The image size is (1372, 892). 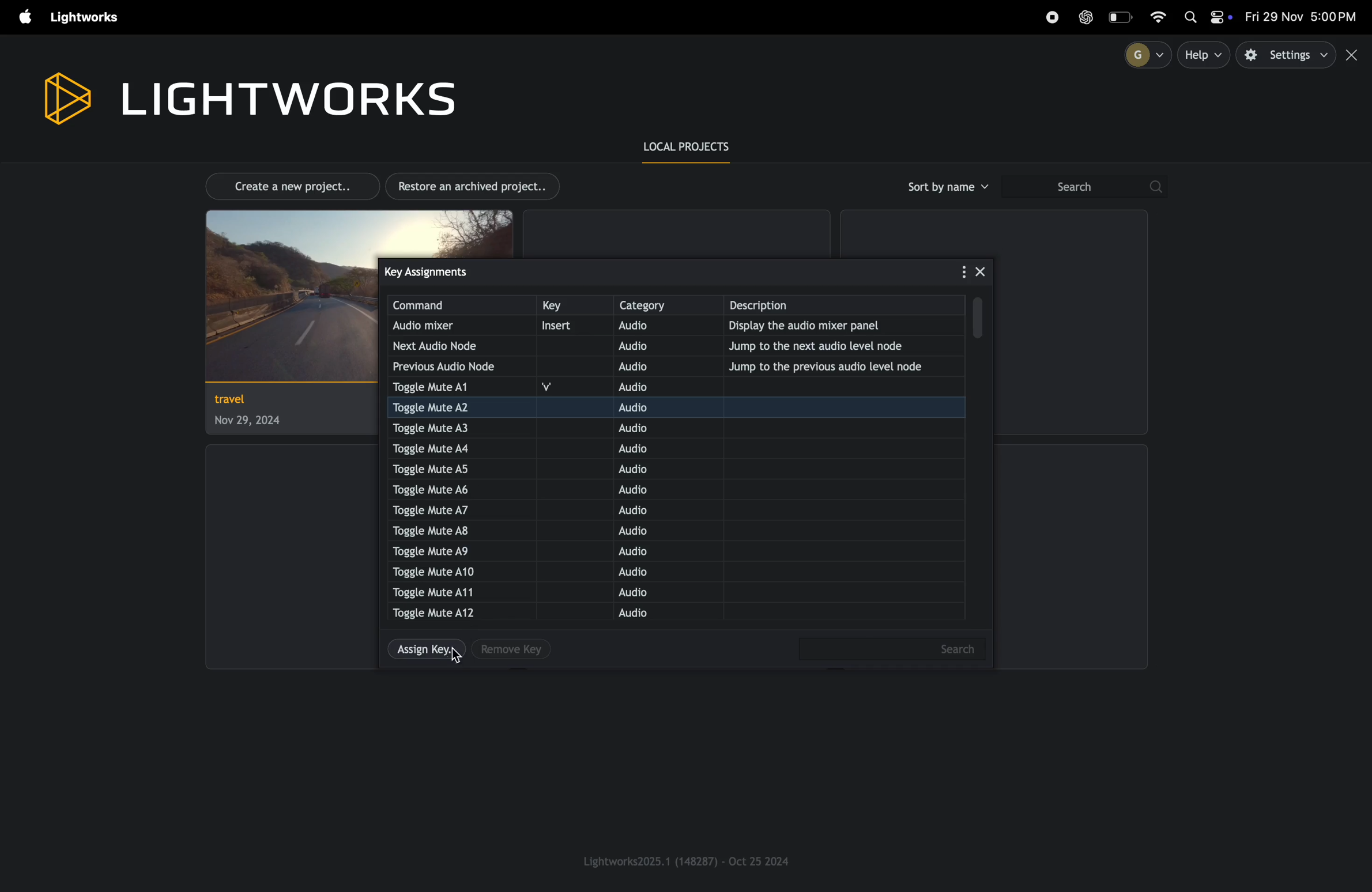 I want to click on options, so click(x=956, y=272).